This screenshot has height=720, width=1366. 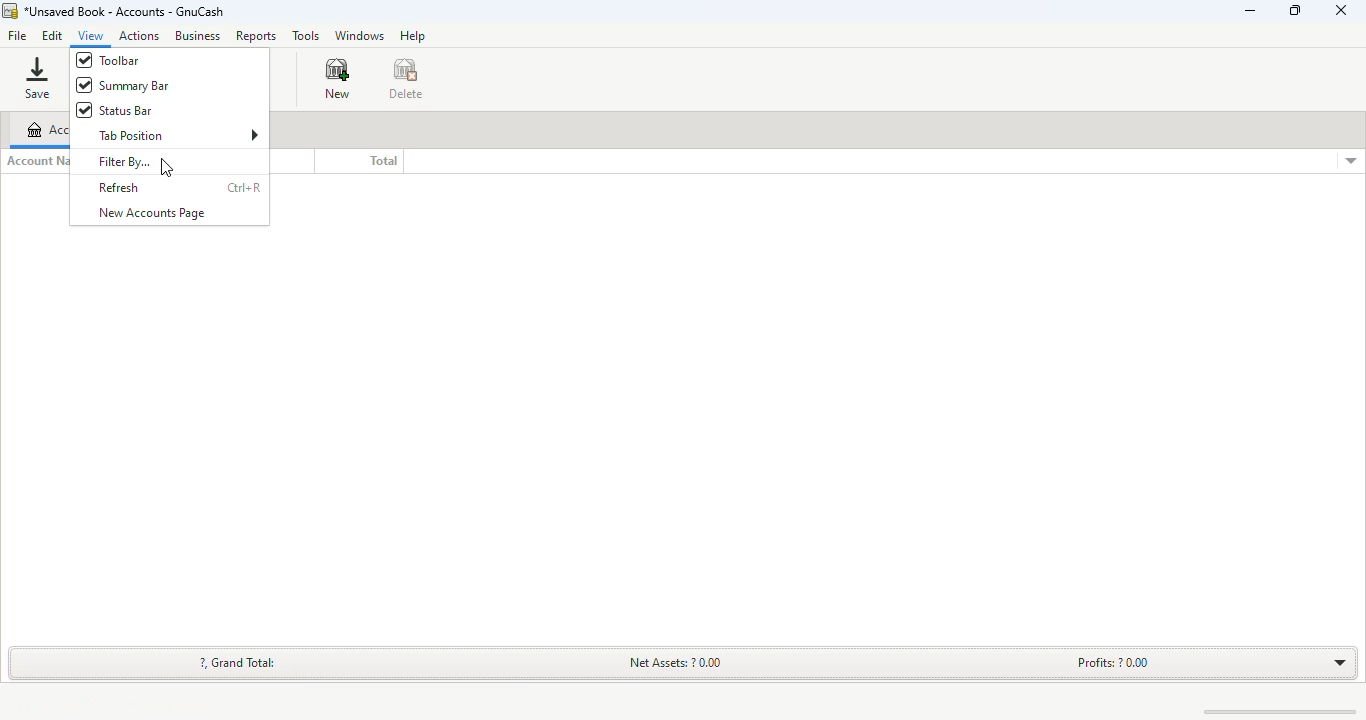 What do you see at coordinates (197, 35) in the screenshot?
I see `business` at bounding box center [197, 35].